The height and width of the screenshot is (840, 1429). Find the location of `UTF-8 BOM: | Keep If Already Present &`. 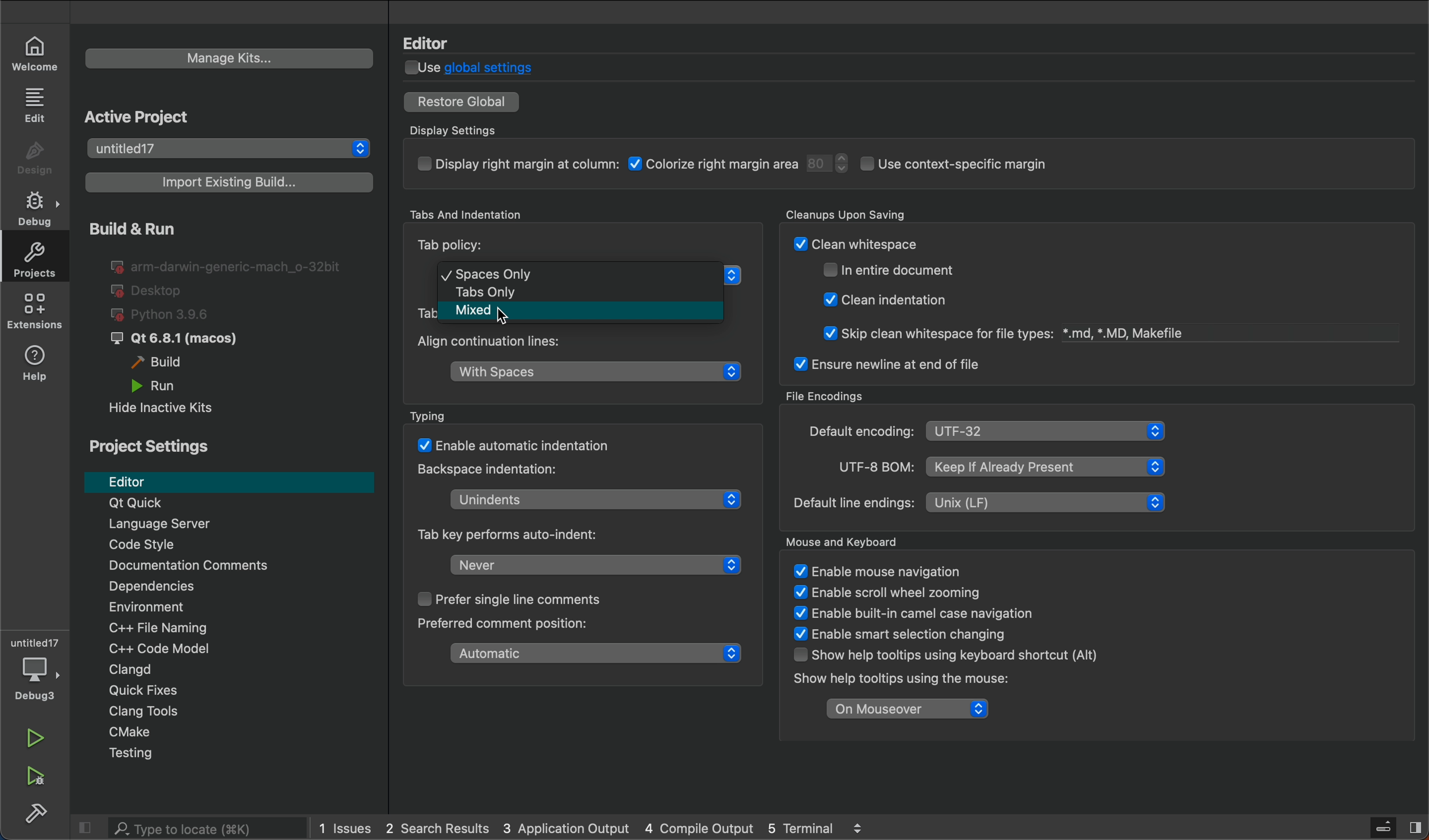

UTF-8 BOM: | Keep If Already Present & is located at coordinates (989, 465).